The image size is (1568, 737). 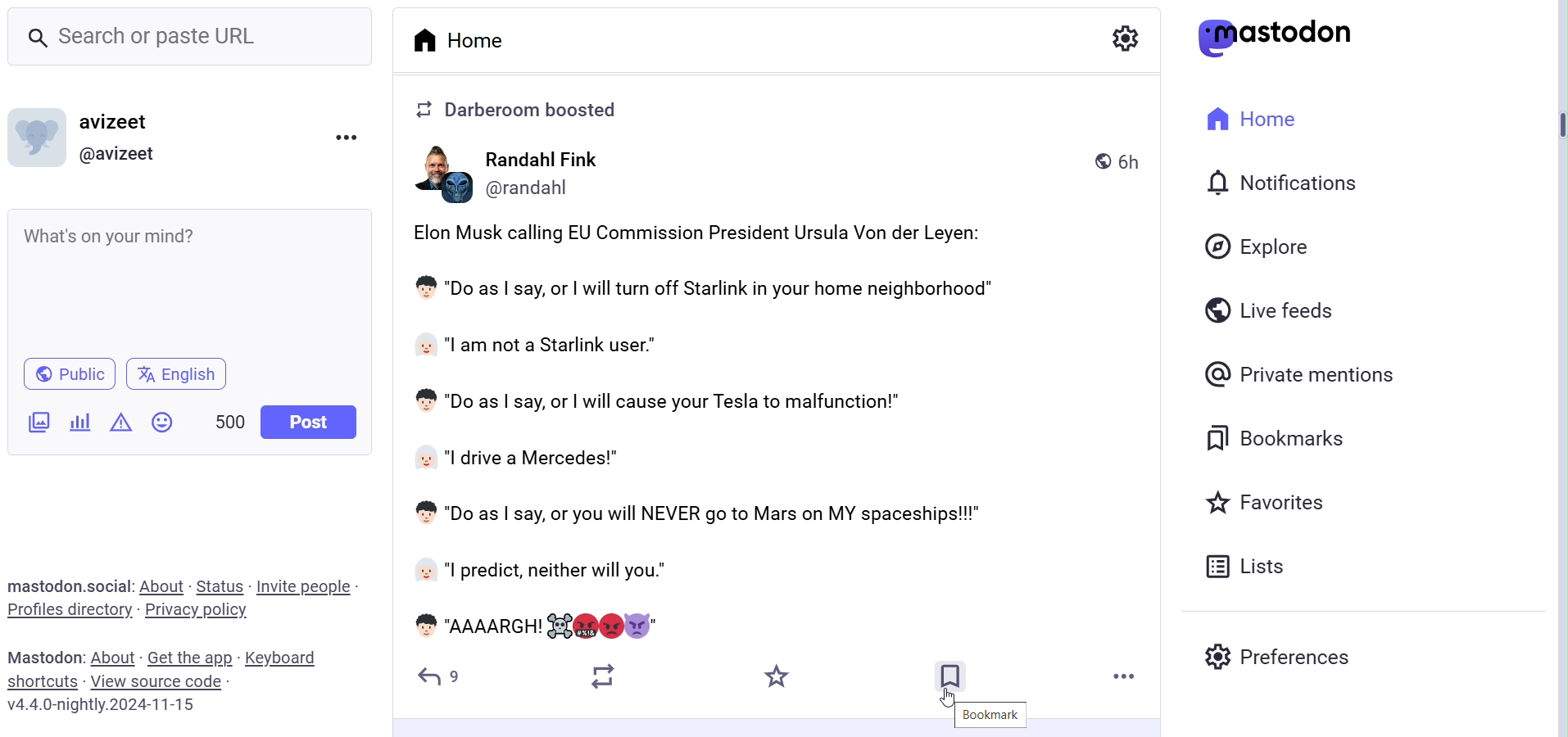 What do you see at coordinates (112, 120) in the screenshot?
I see `Profile Name` at bounding box center [112, 120].